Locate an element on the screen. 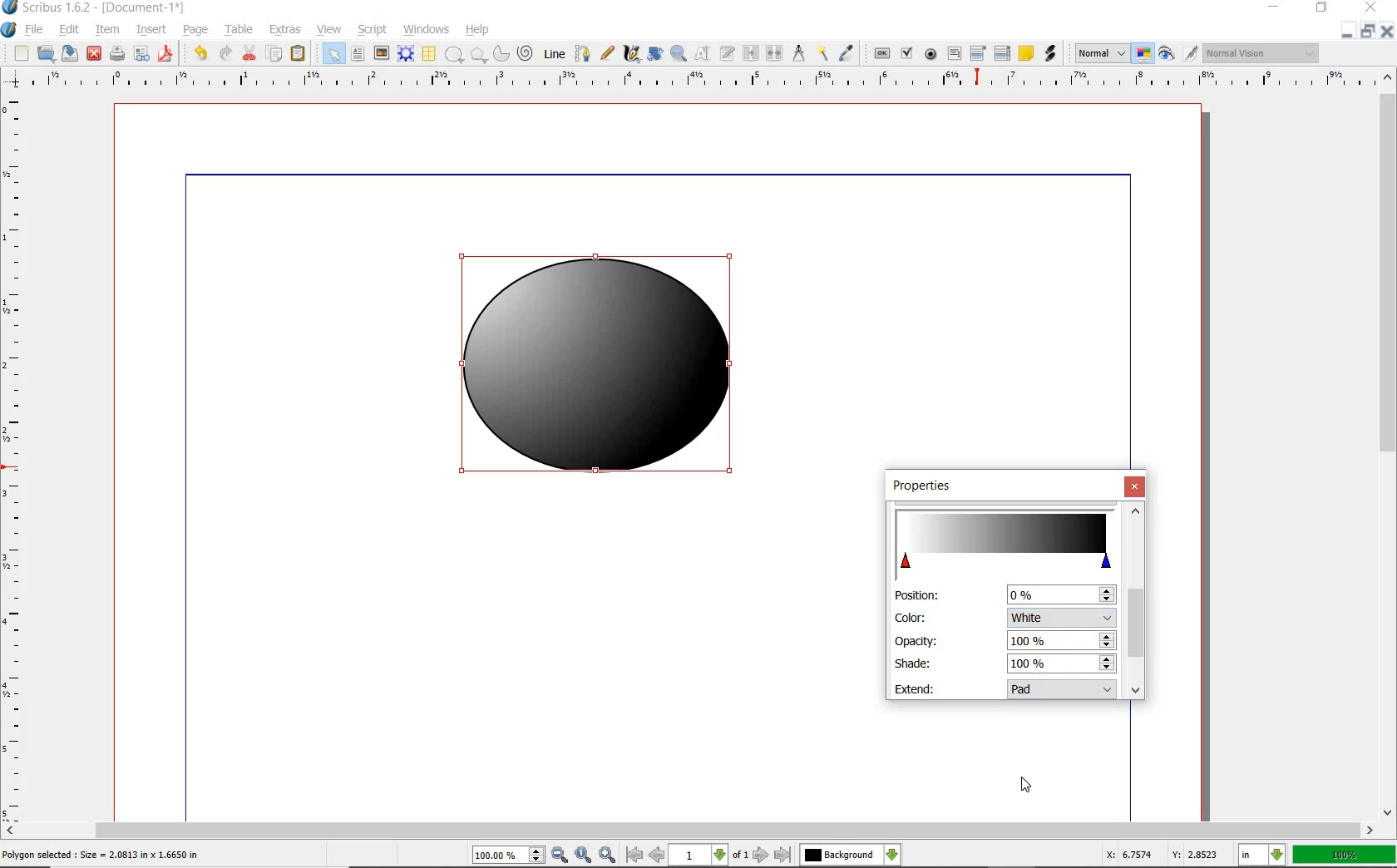 This screenshot has width=1397, height=868. COPY is located at coordinates (276, 54).